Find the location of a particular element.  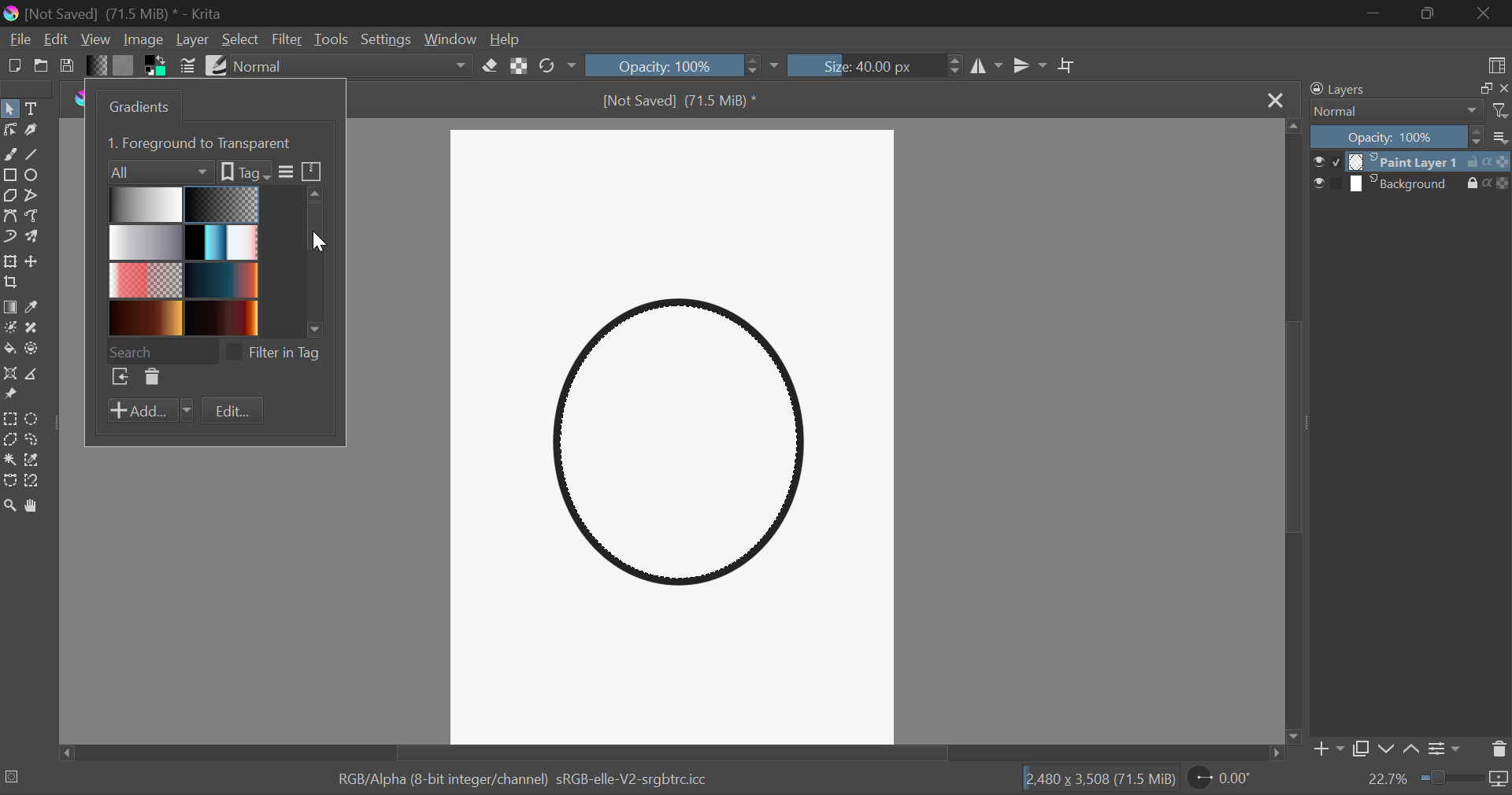

Transform Layer is located at coordinates (11, 263).